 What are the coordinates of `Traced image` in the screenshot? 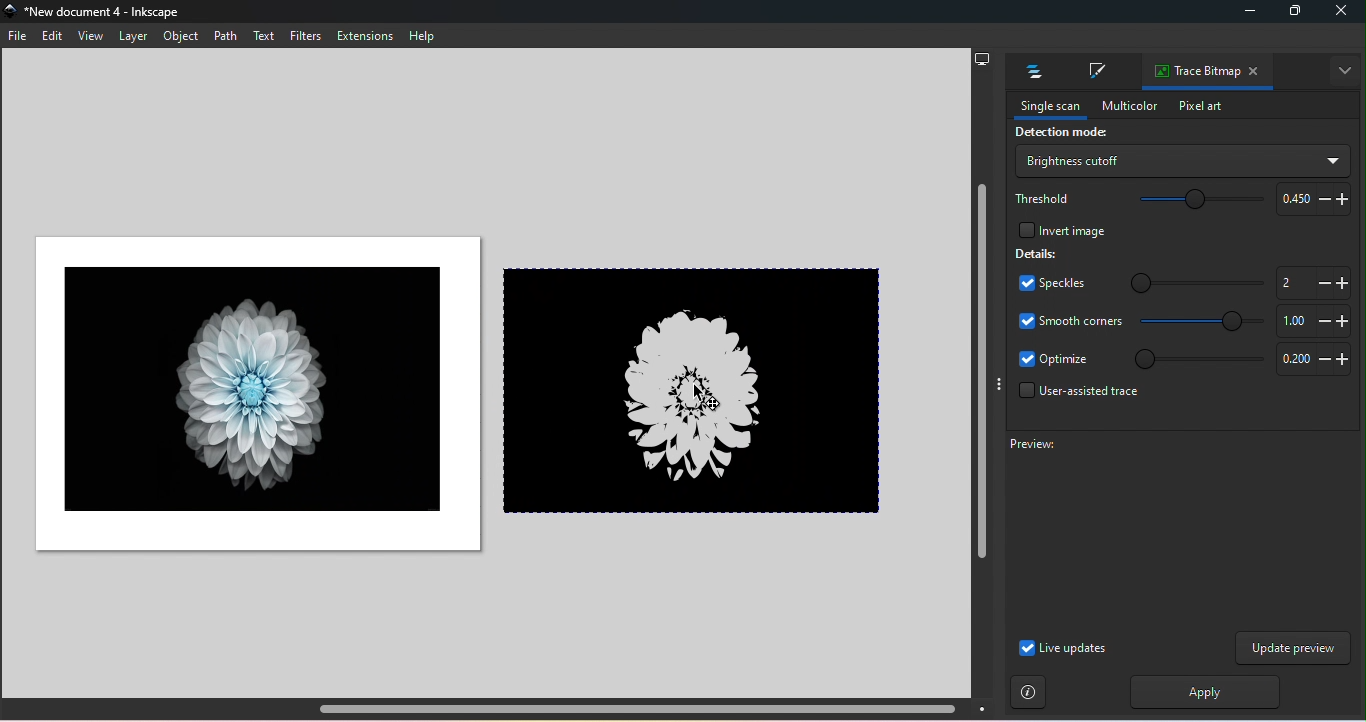 It's located at (699, 388).